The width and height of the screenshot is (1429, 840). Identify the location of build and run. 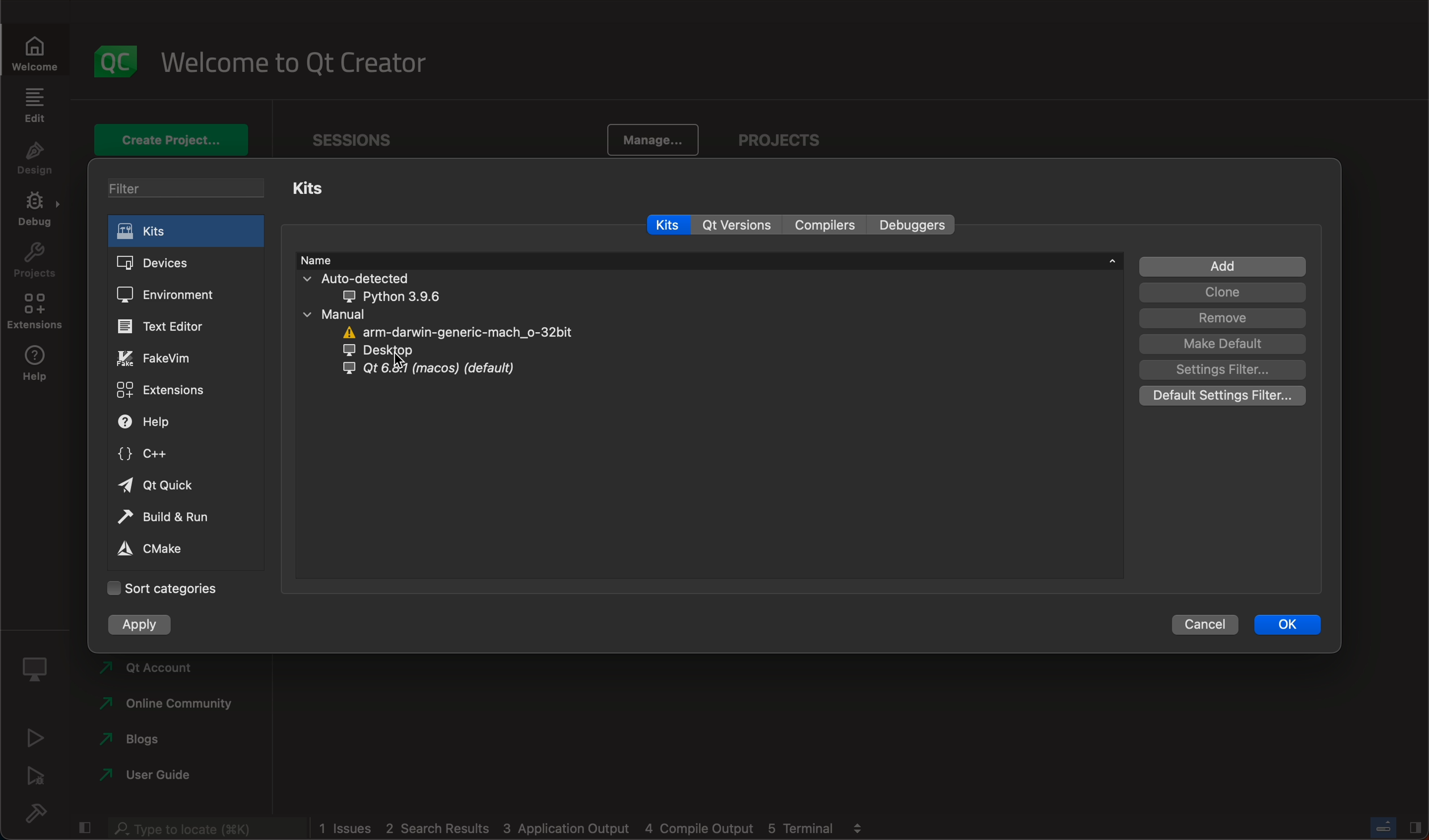
(166, 516).